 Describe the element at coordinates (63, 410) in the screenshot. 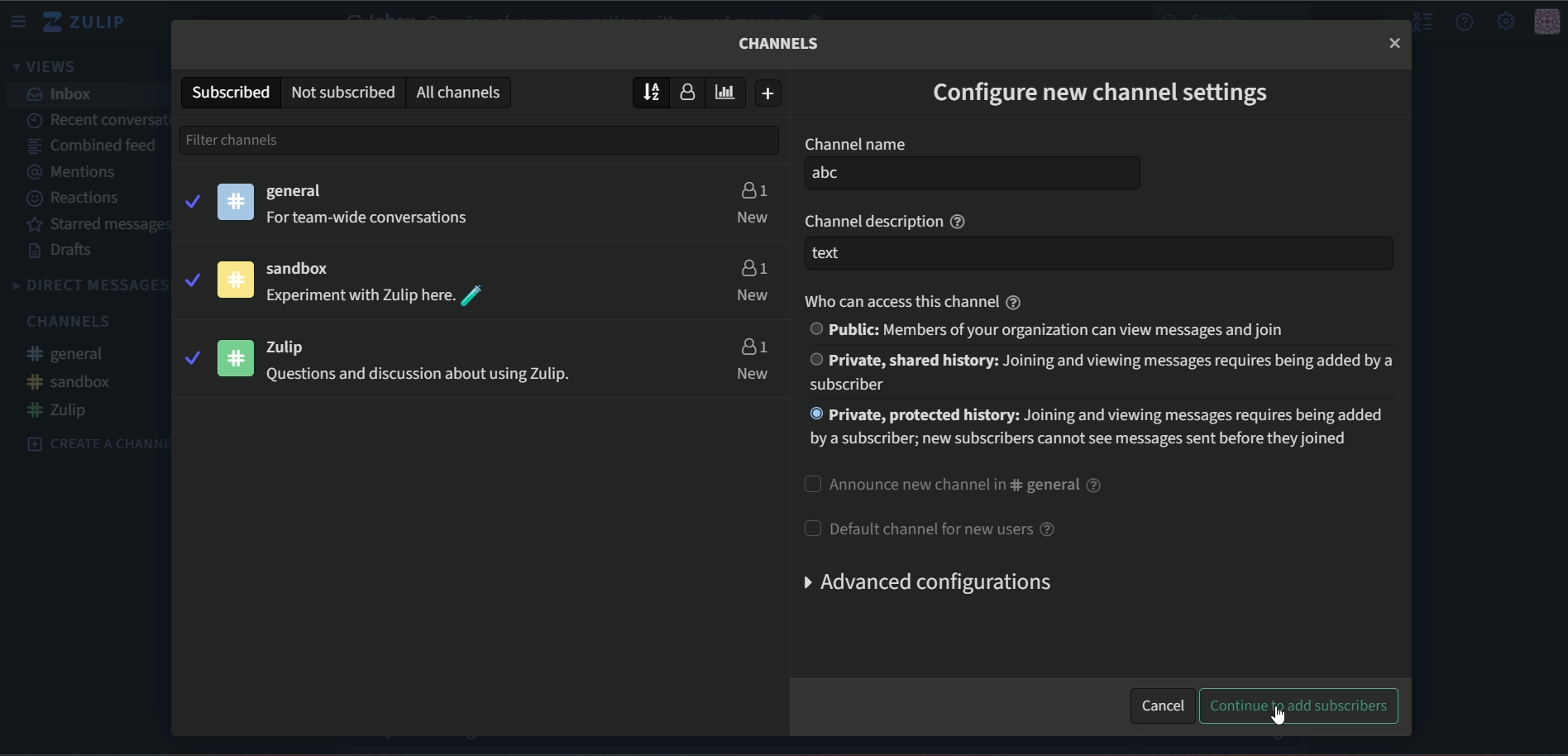

I see `#zulip` at that location.